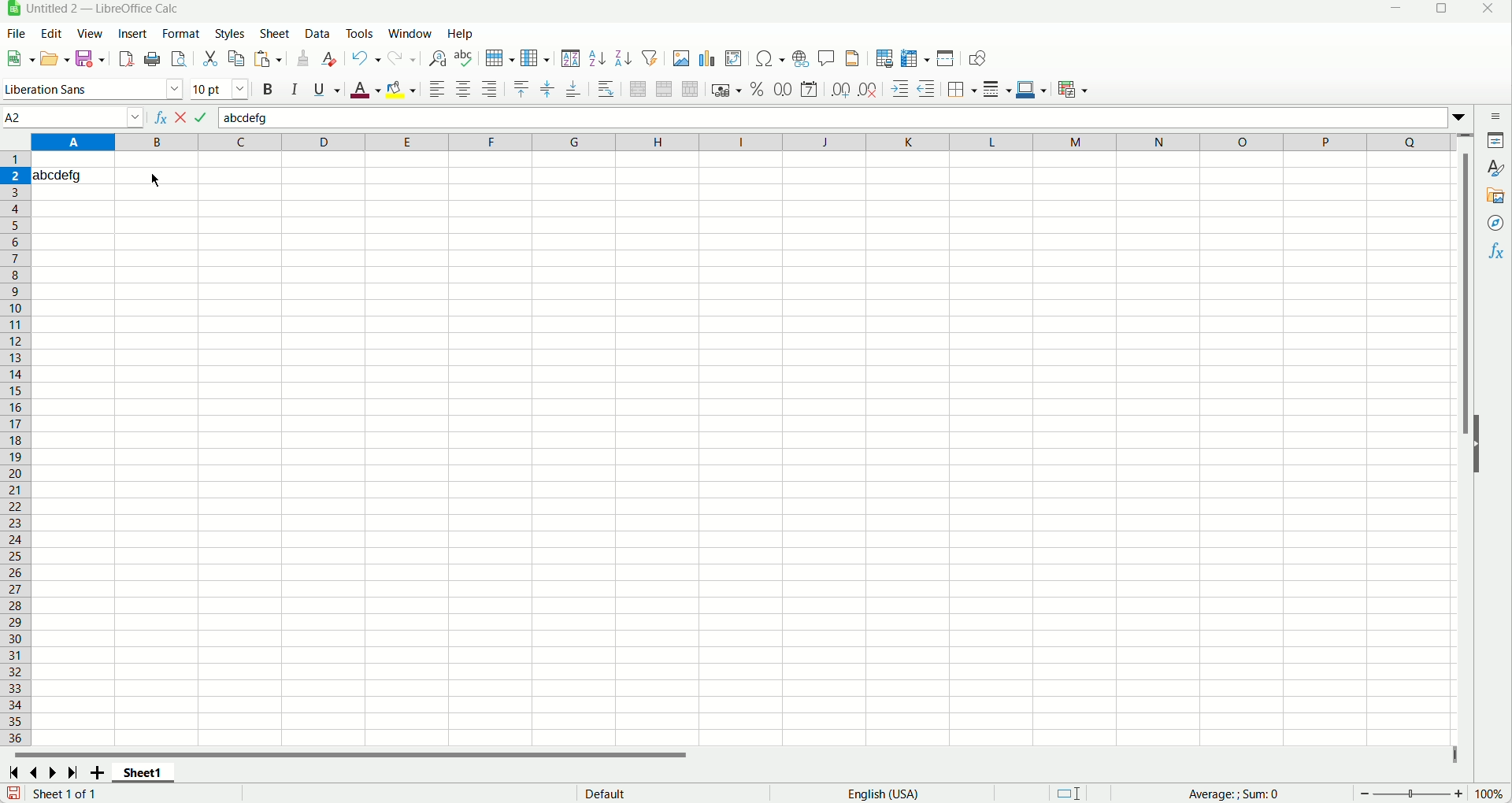  Describe the element at coordinates (318, 34) in the screenshot. I see `data` at that location.